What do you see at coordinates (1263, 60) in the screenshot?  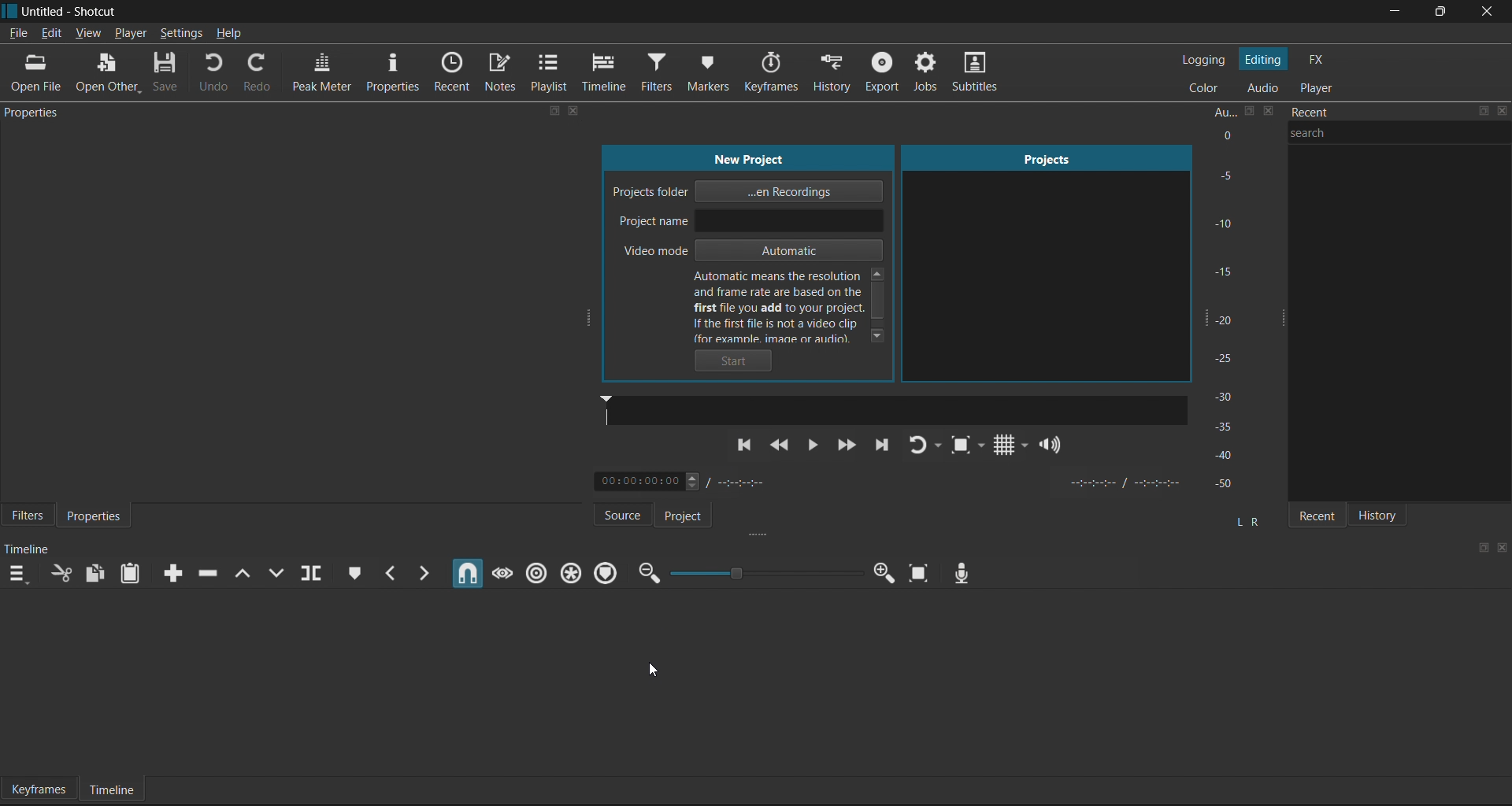 I see `Editing` at bounding box center [1263, 60].